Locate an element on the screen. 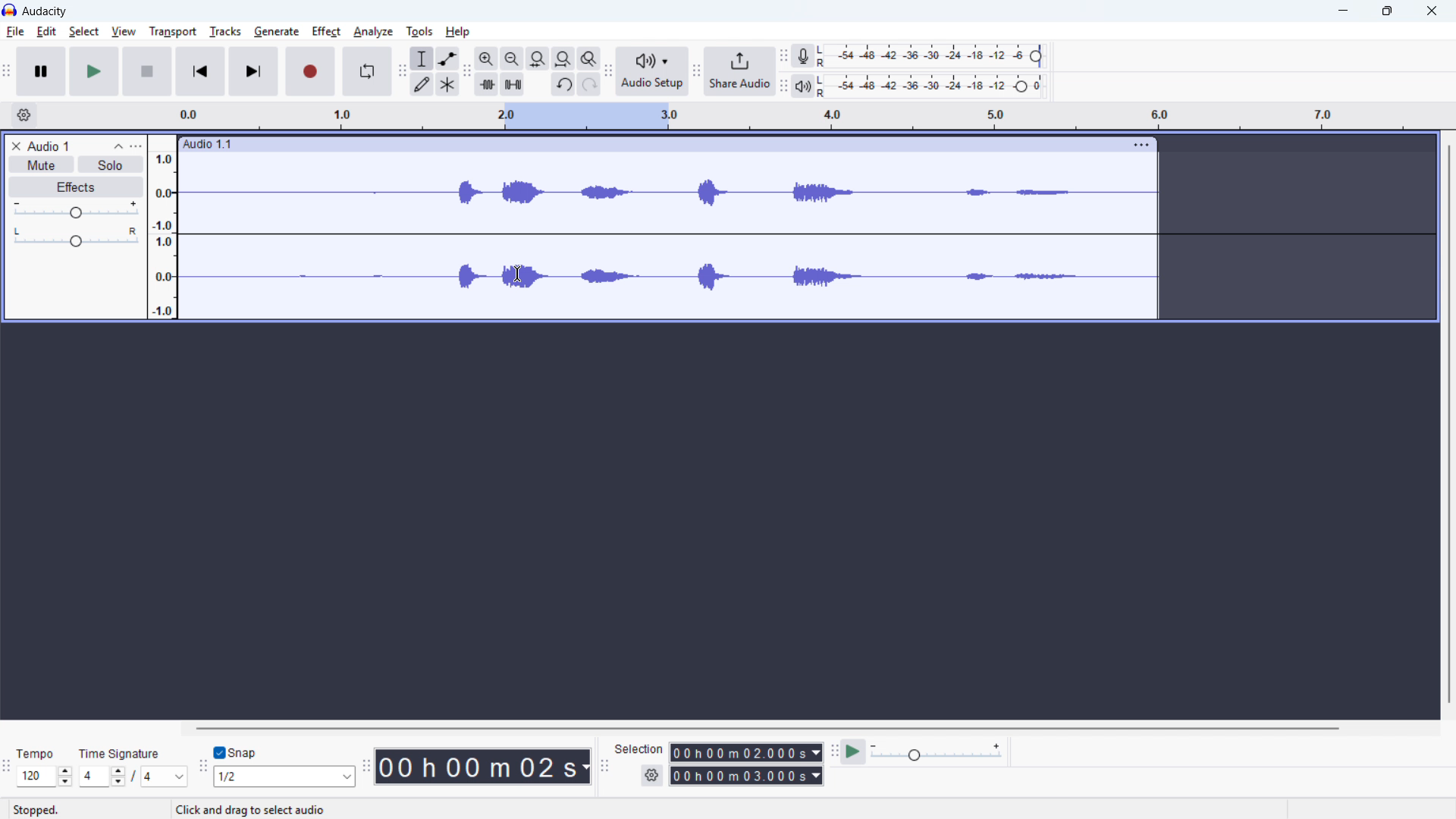  Remove track is located at coordinates (16, 146).